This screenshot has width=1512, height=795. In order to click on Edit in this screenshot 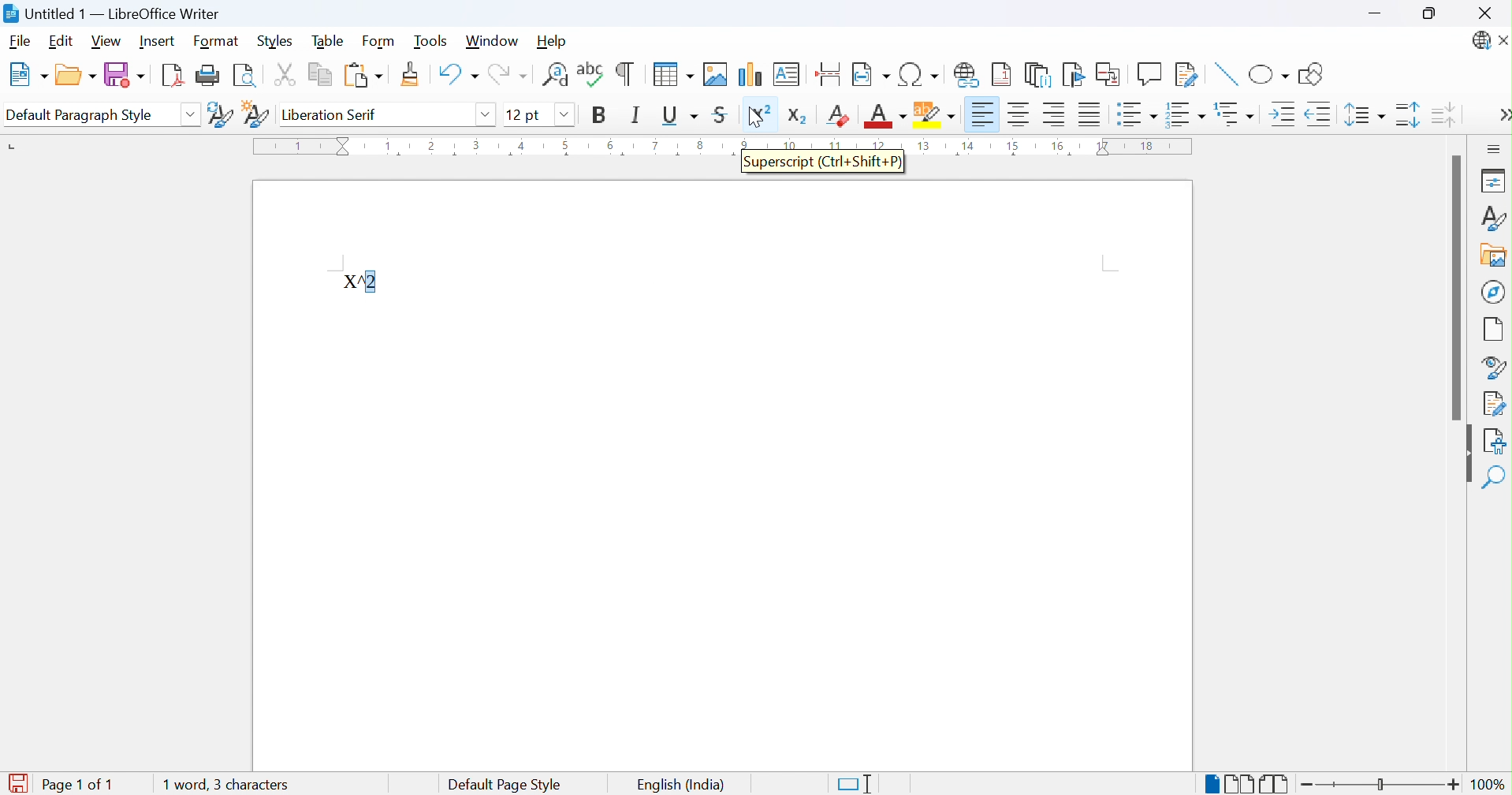, I will do `click(61, 42)`.